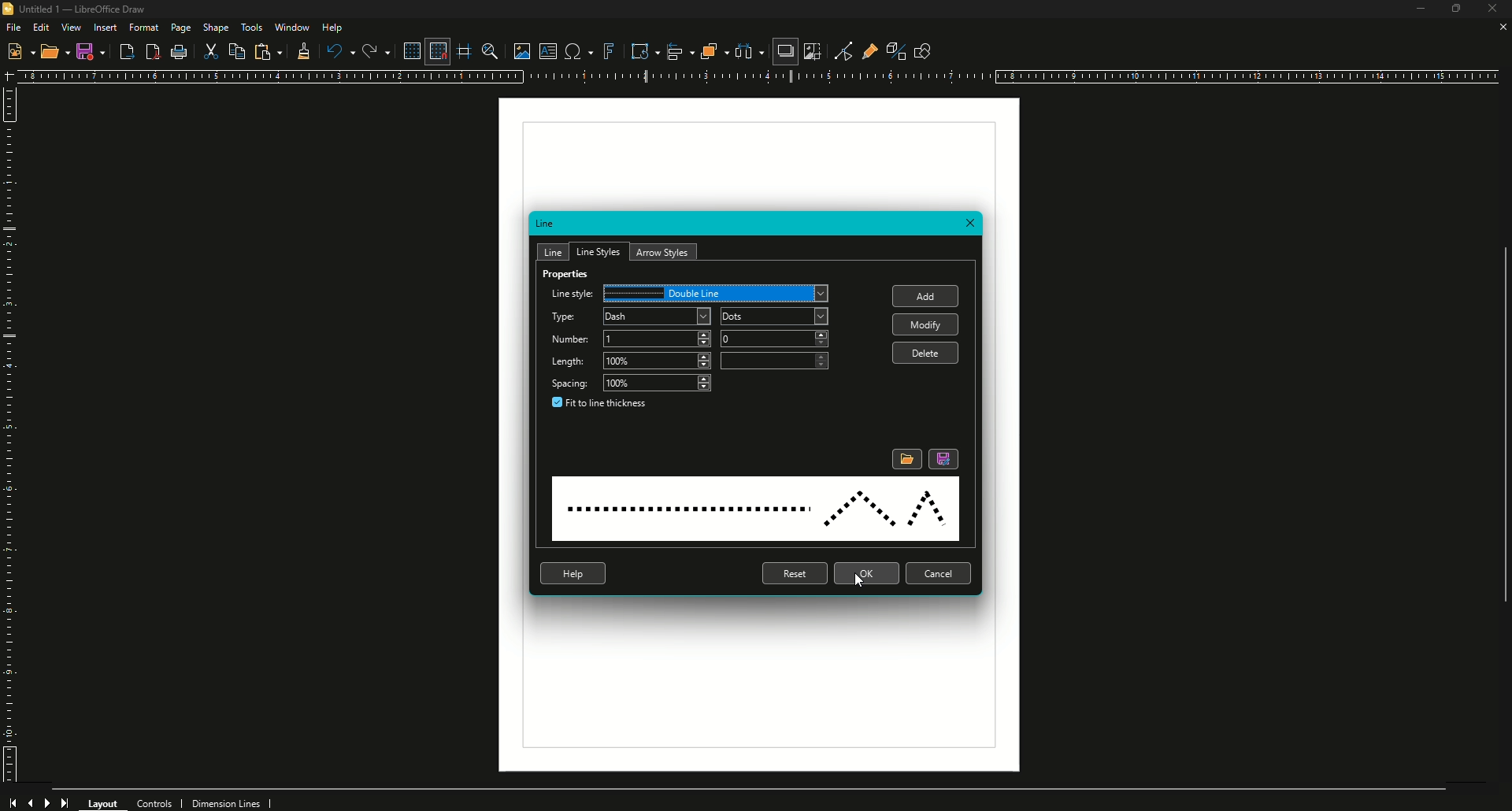 The height and width of the screenshot is (811, 1512). Describe the element at coordinates (598, 250) in the screenshot. I see `Line Styles` at that location.